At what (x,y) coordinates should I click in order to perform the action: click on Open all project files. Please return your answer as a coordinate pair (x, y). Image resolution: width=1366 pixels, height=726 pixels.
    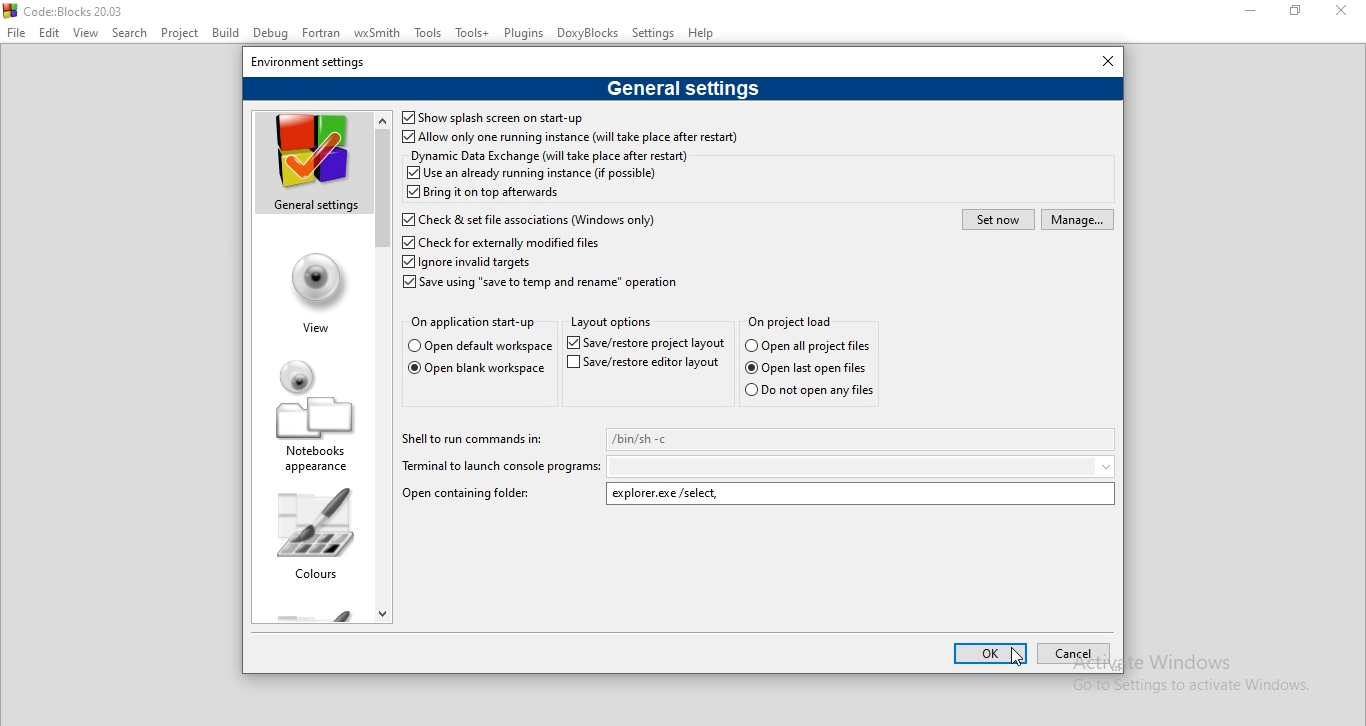
    Looking at the image, I should click on (809, 346).